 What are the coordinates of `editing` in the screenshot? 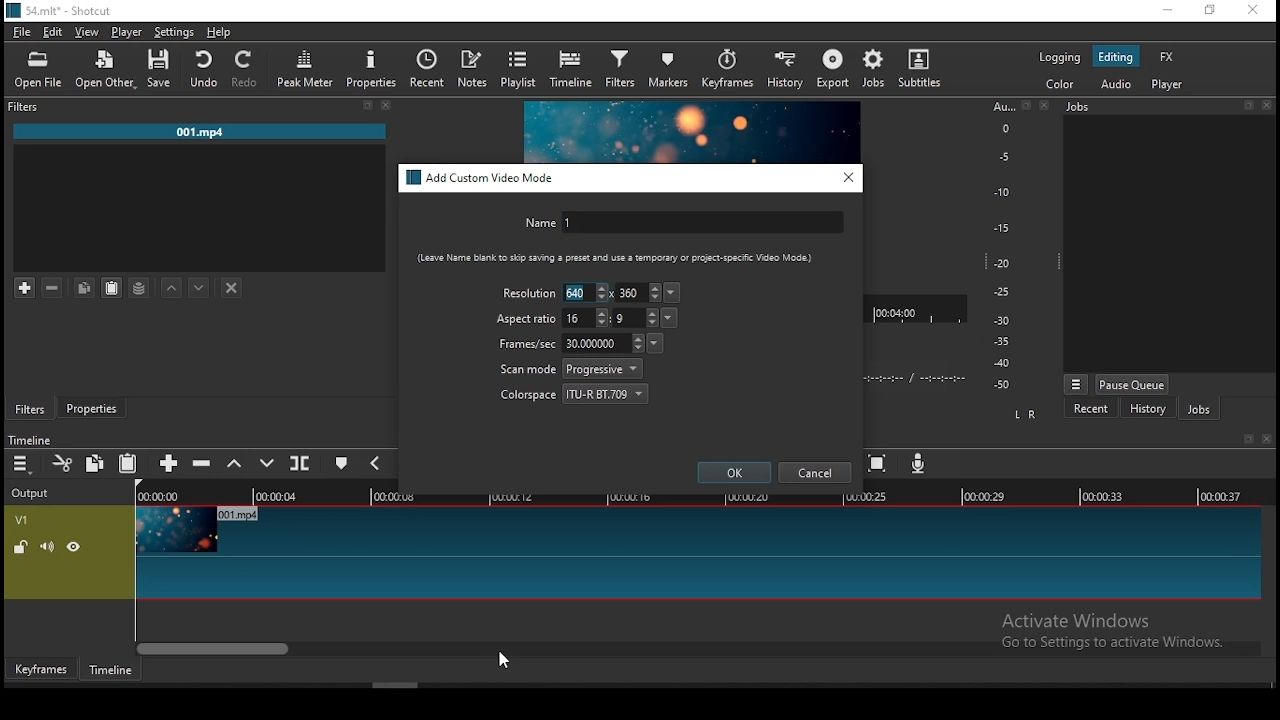 It's located at (1116, 57).